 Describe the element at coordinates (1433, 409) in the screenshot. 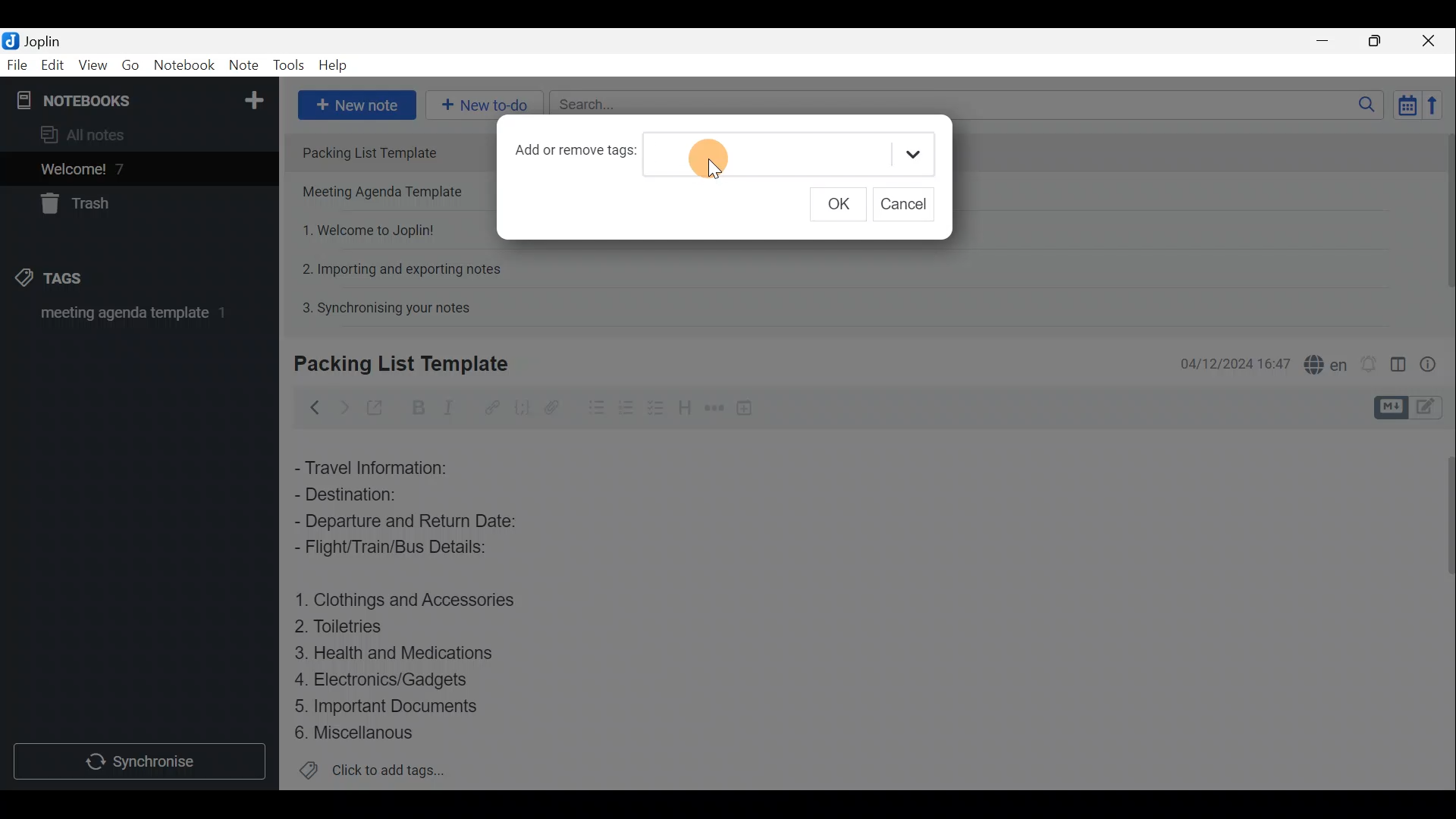

I see `Toggle editors` at that location.